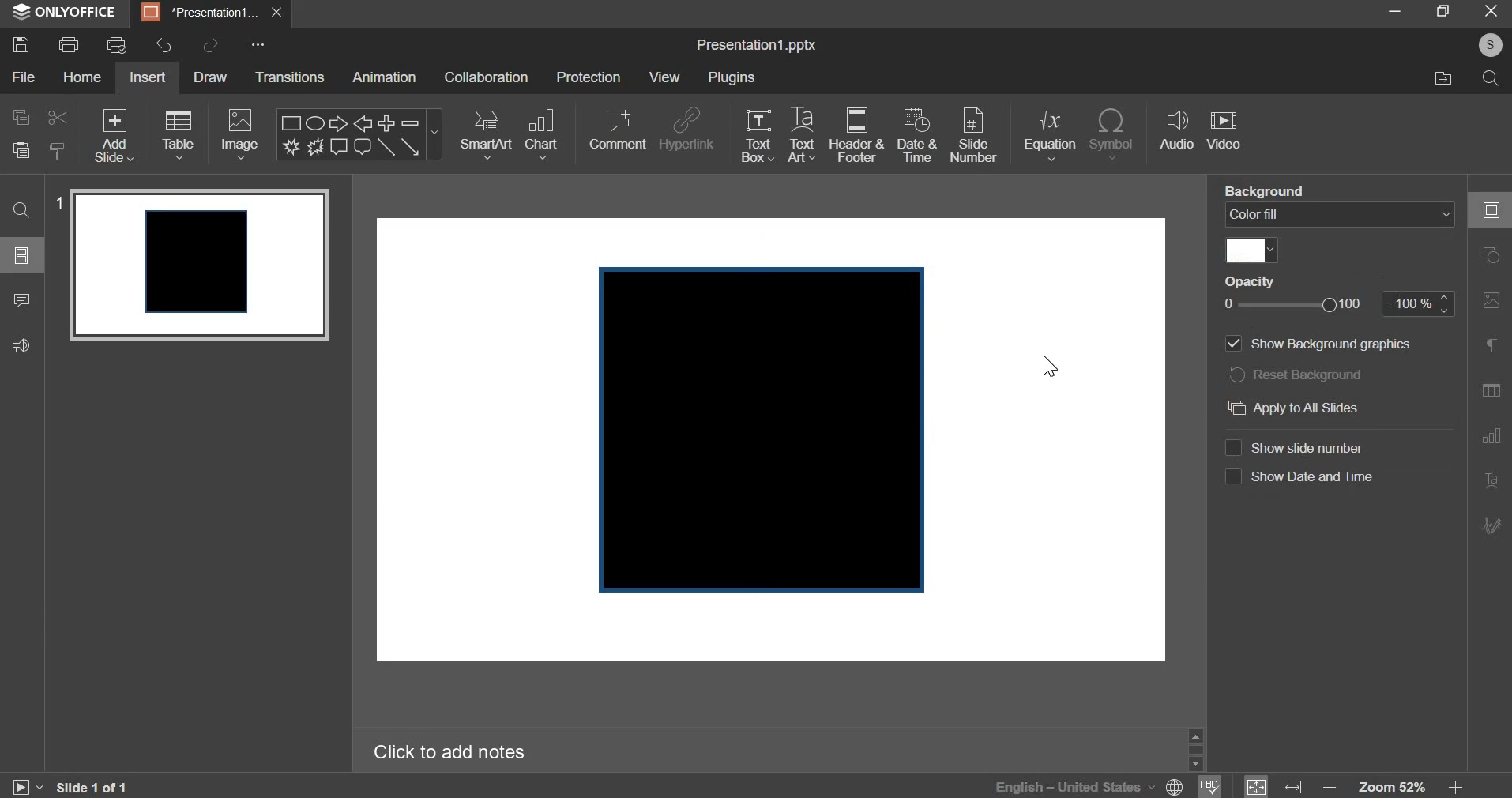 Image resolution: width=1512 pixels, height=798 pixels. What do you see at coordinates (973, 136) in the screenshot?
I see `slide number` at bounding box center [973, 136].